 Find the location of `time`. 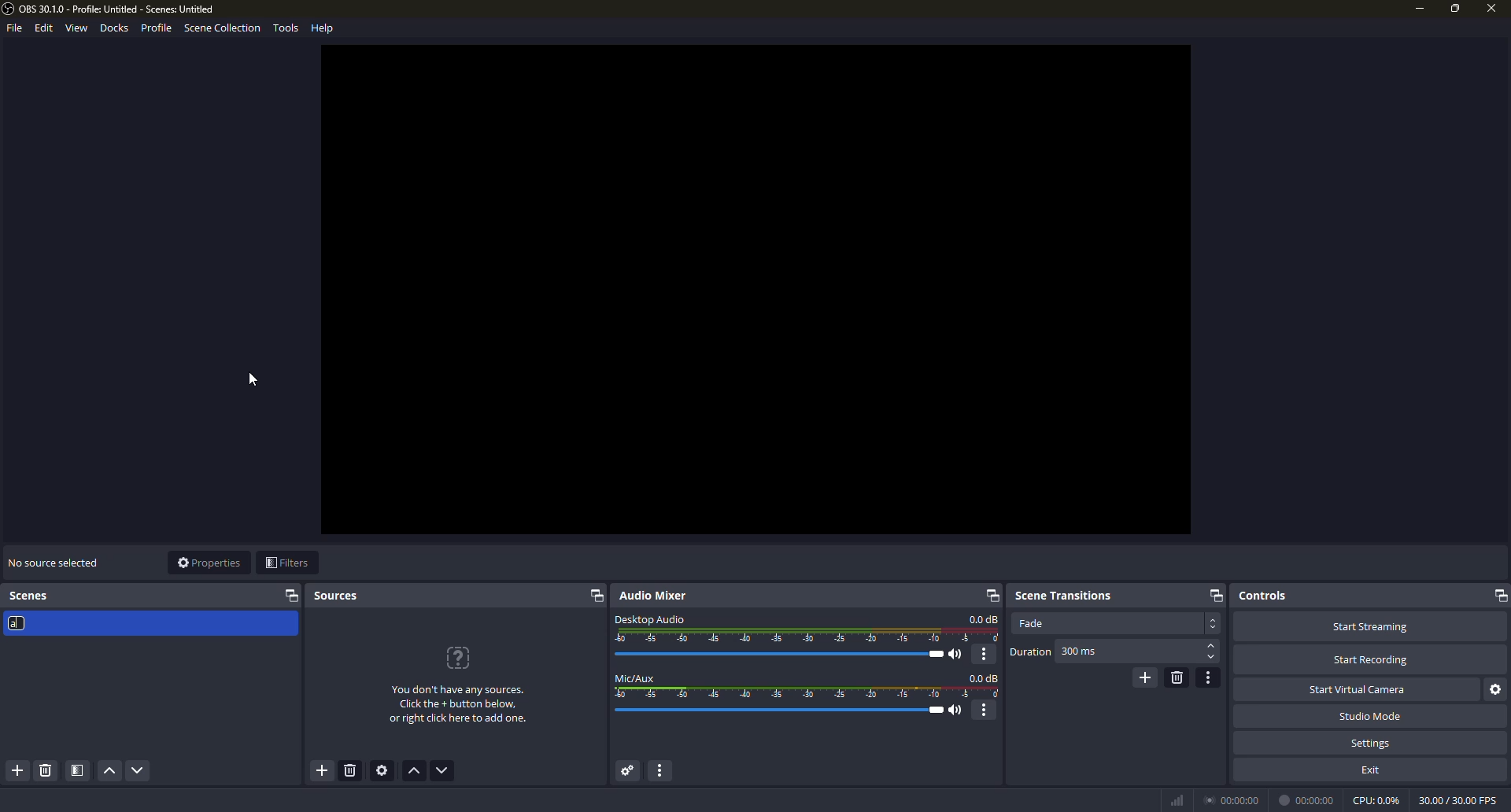

time is located at coordinates (1234, 799).